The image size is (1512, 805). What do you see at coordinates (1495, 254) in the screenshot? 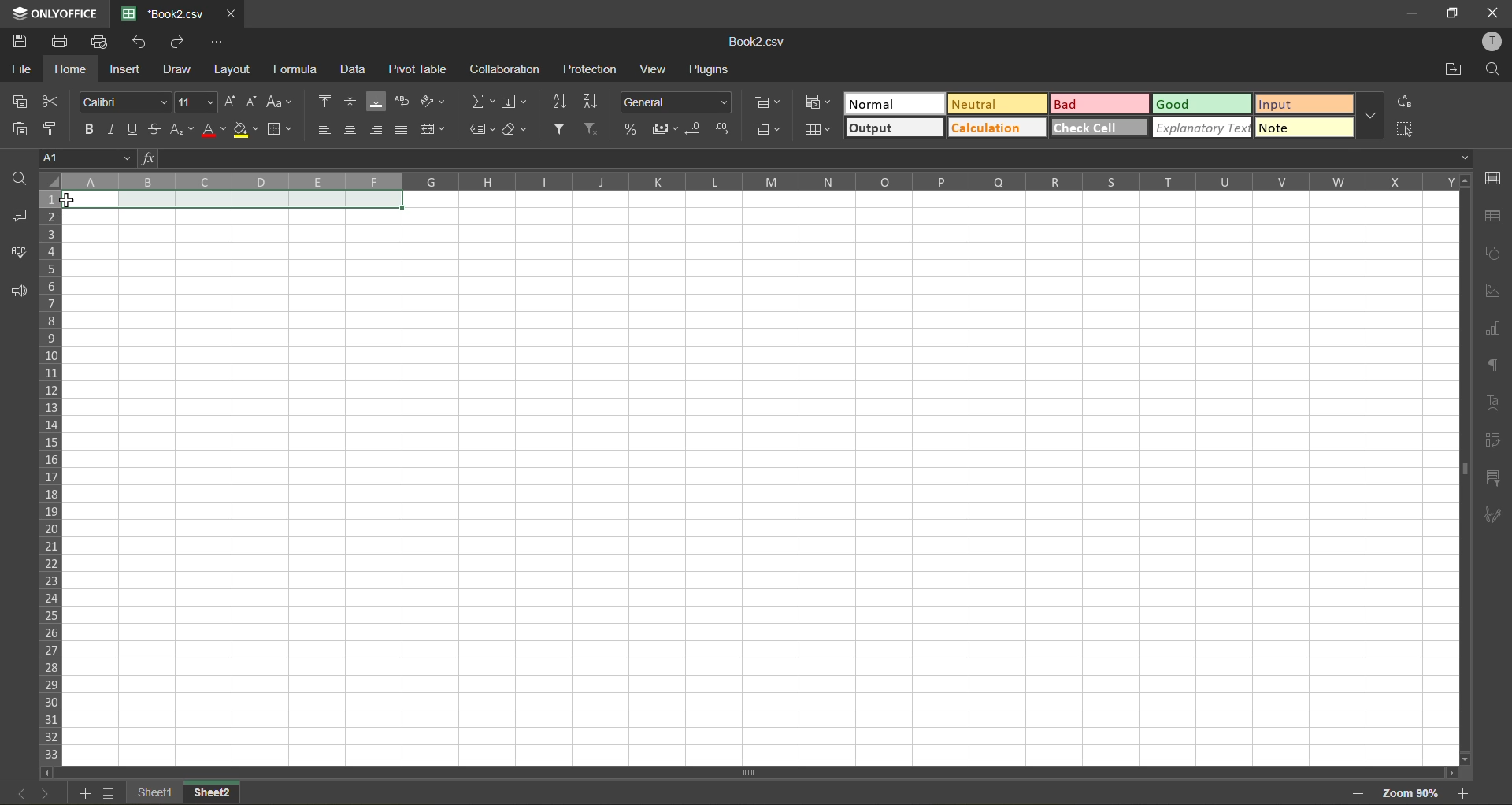
I see `shapes` at bounding box center [1495, 254].